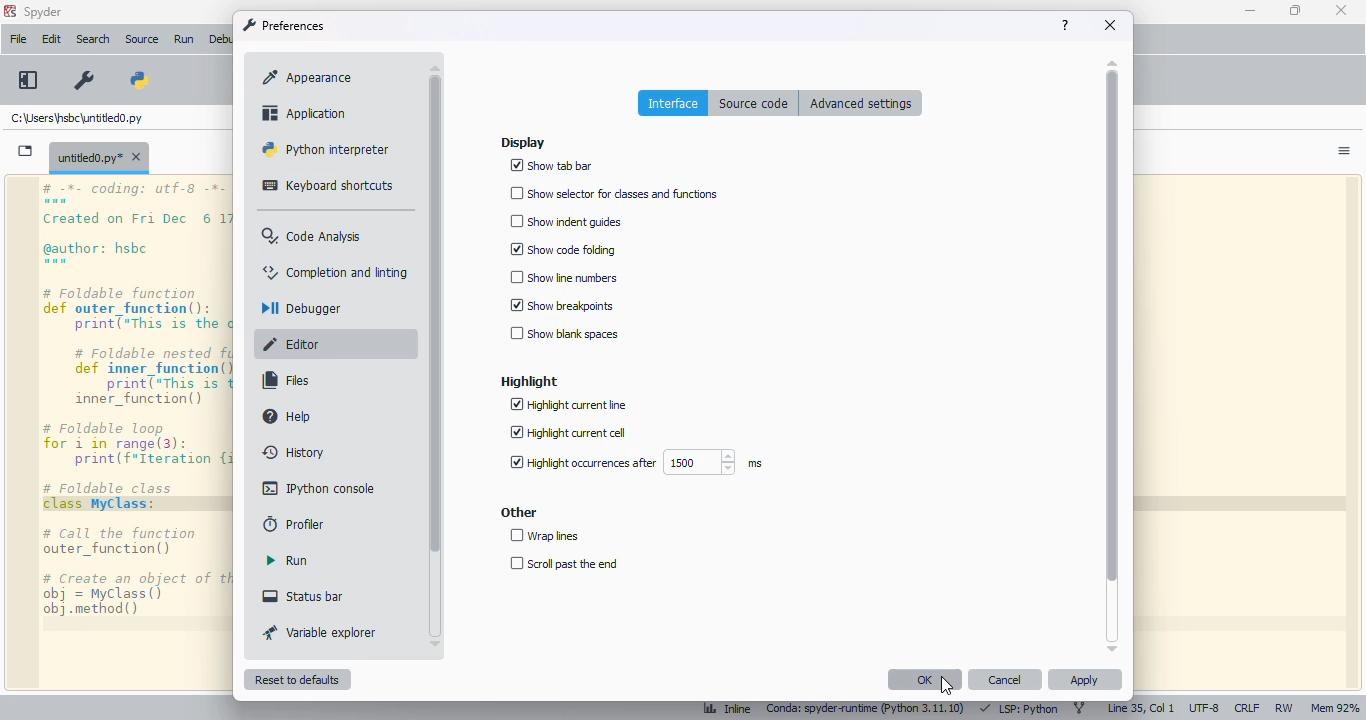  What do you see at coordinates (546, 535) in the screenshot?
I see `wrap lines` at bounding box center [546, 535].